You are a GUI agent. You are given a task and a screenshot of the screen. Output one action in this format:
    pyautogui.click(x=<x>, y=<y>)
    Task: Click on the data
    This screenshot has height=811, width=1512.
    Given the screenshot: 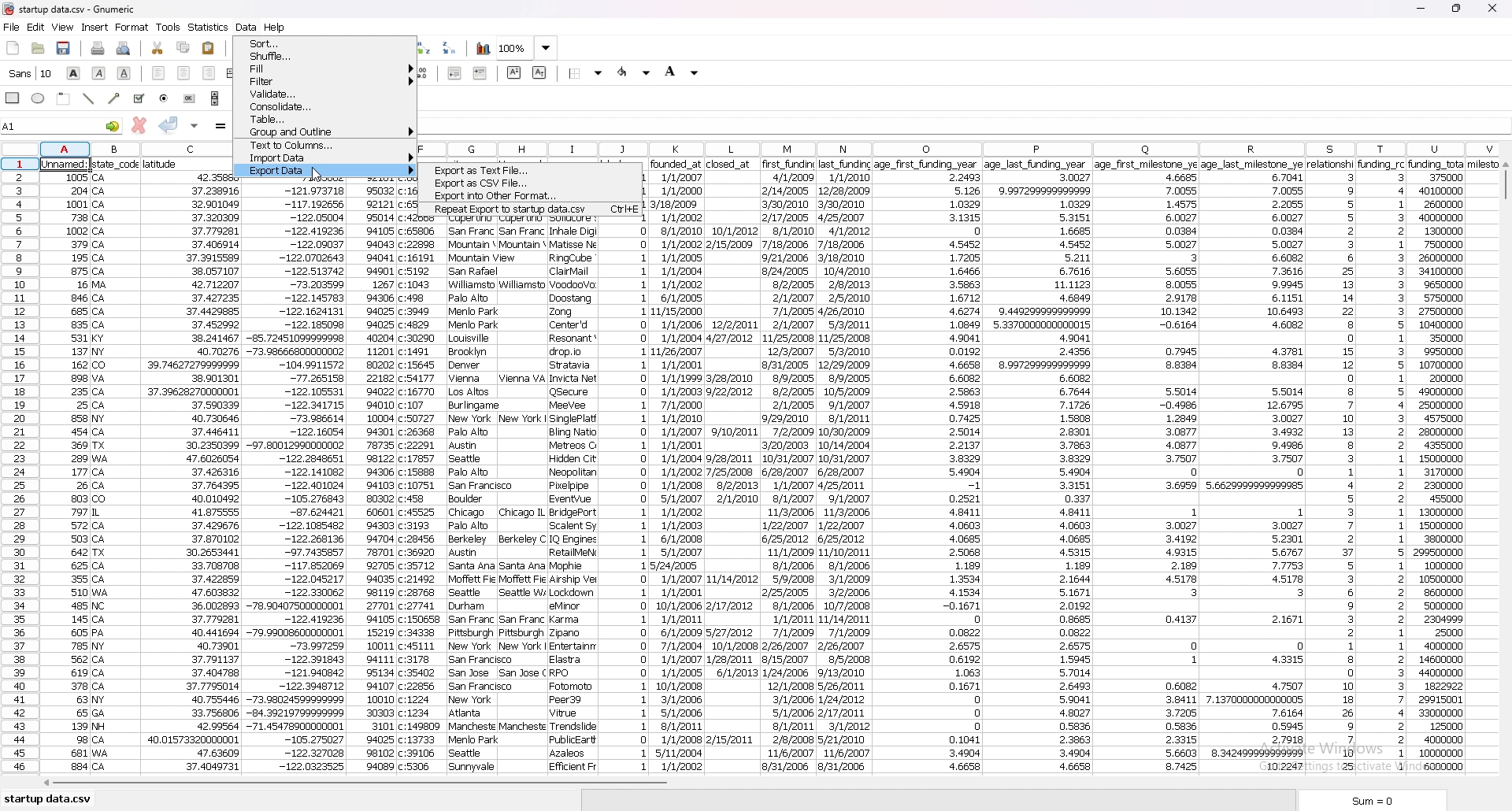 What is the action you would take?
    pyautogui.click(x=372, y=480)
    